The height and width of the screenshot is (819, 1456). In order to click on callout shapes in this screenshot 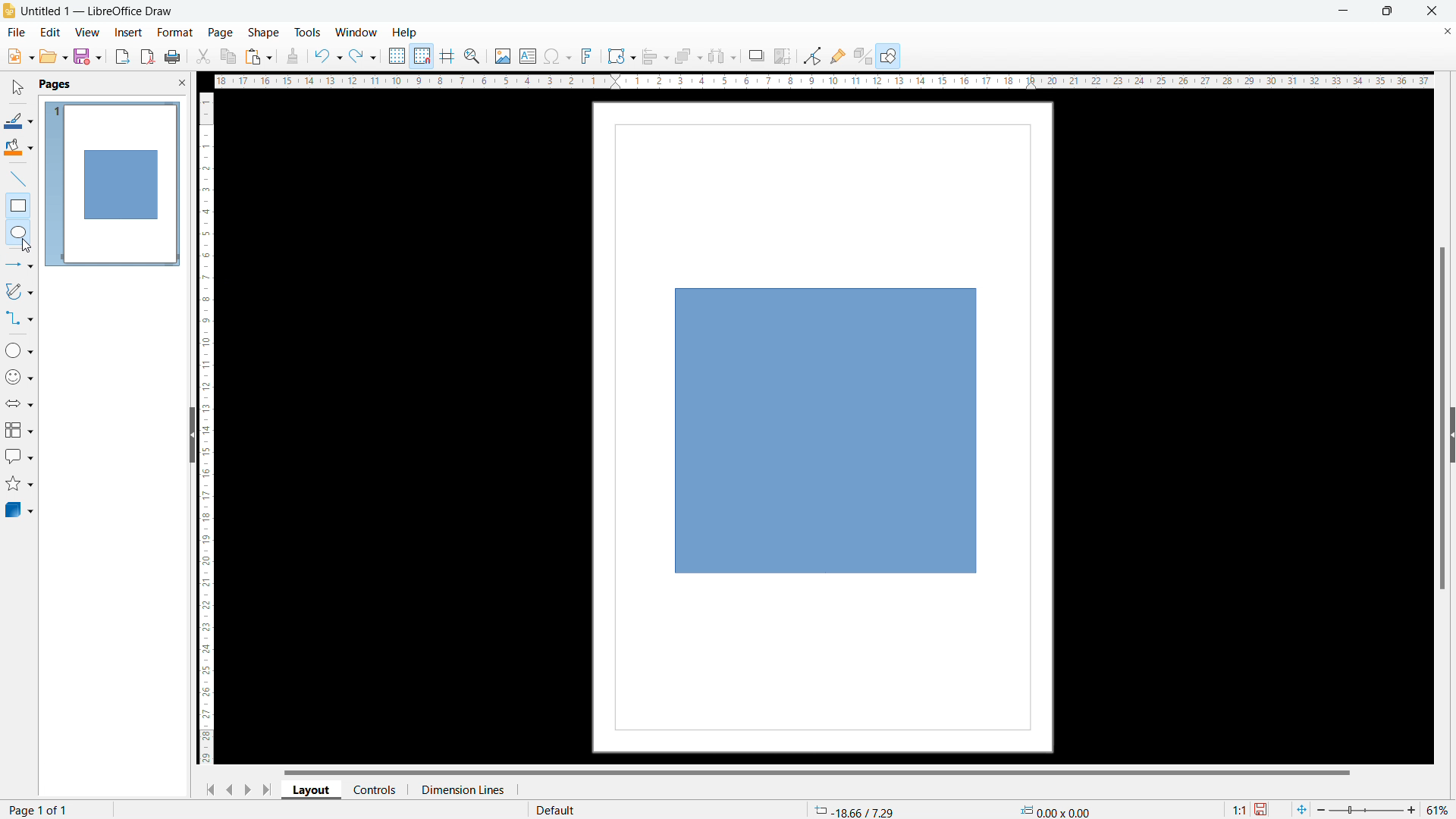, I will do `click(20, 457)`.